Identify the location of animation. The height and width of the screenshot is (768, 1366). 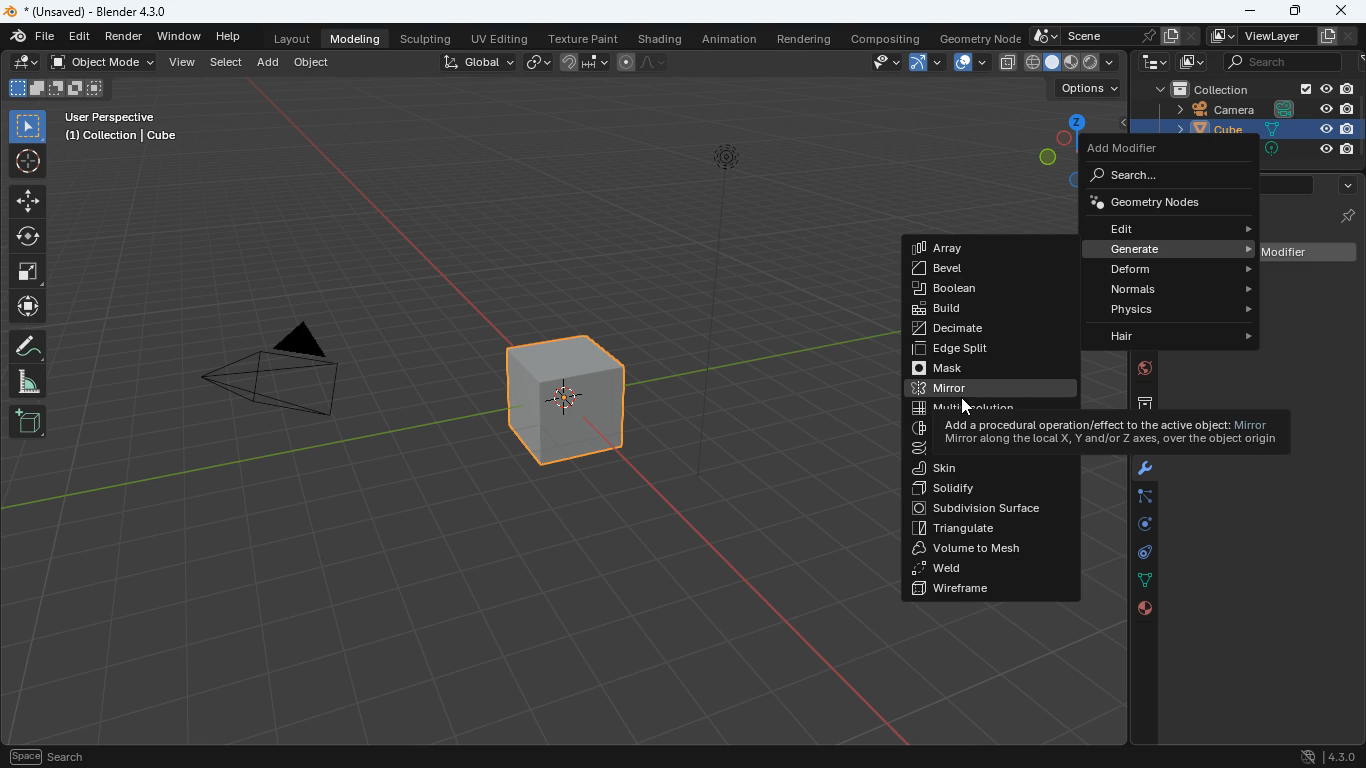
(730, 42).